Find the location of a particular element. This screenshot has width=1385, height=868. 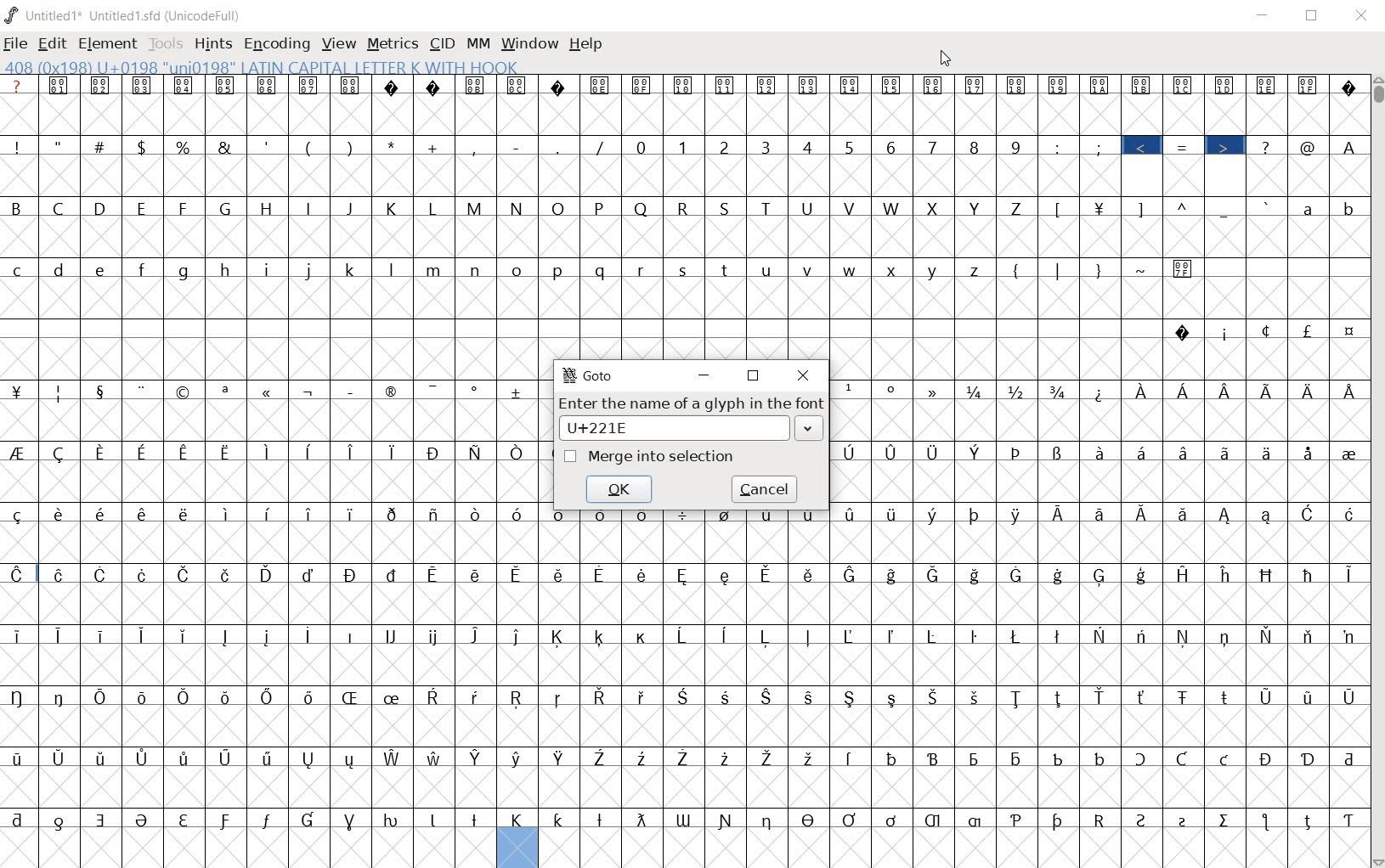

small letters c - z is located at coordinates (500, 268).